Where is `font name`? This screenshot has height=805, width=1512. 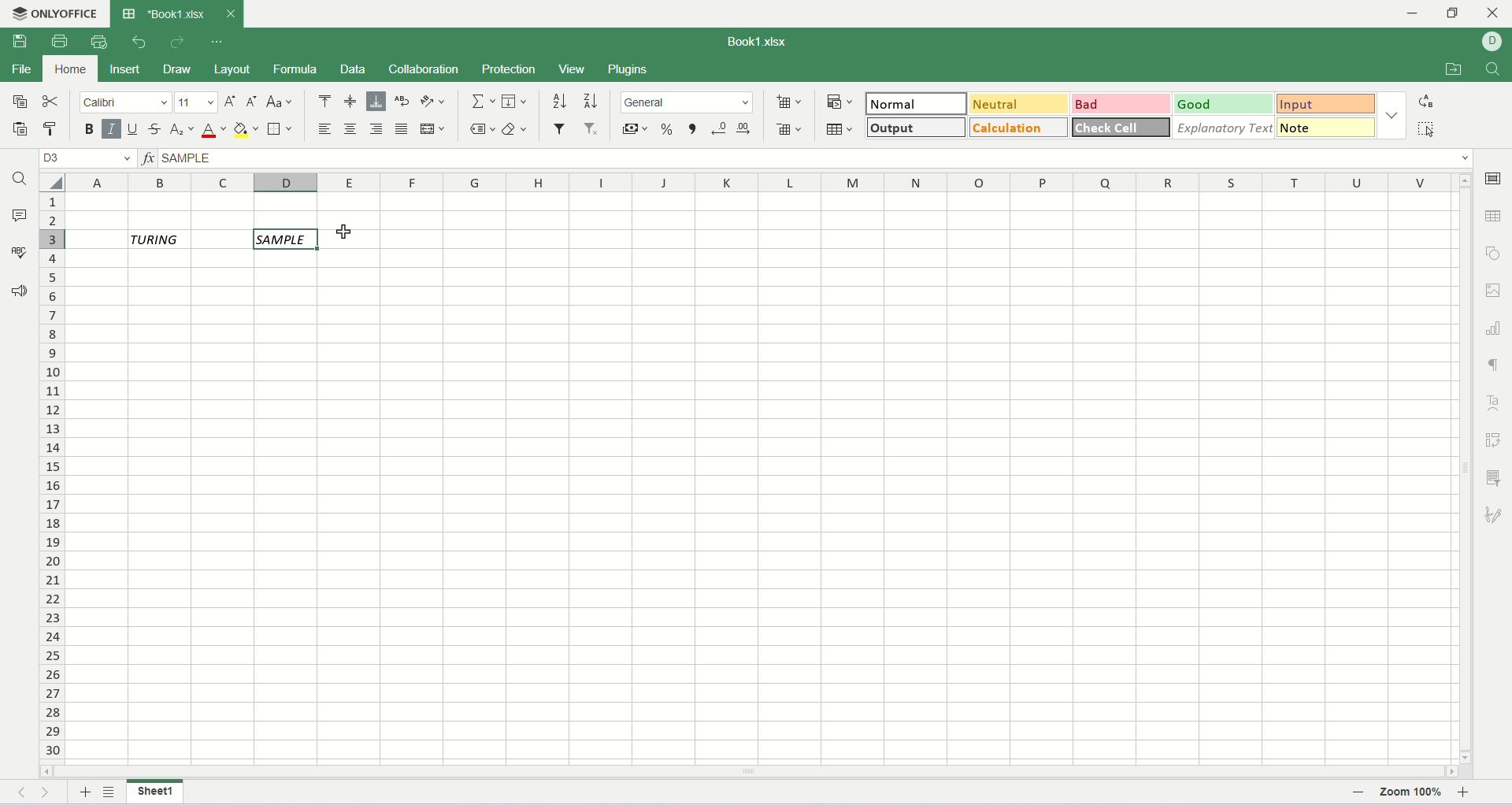 font name is located at coordinates (126, 102).